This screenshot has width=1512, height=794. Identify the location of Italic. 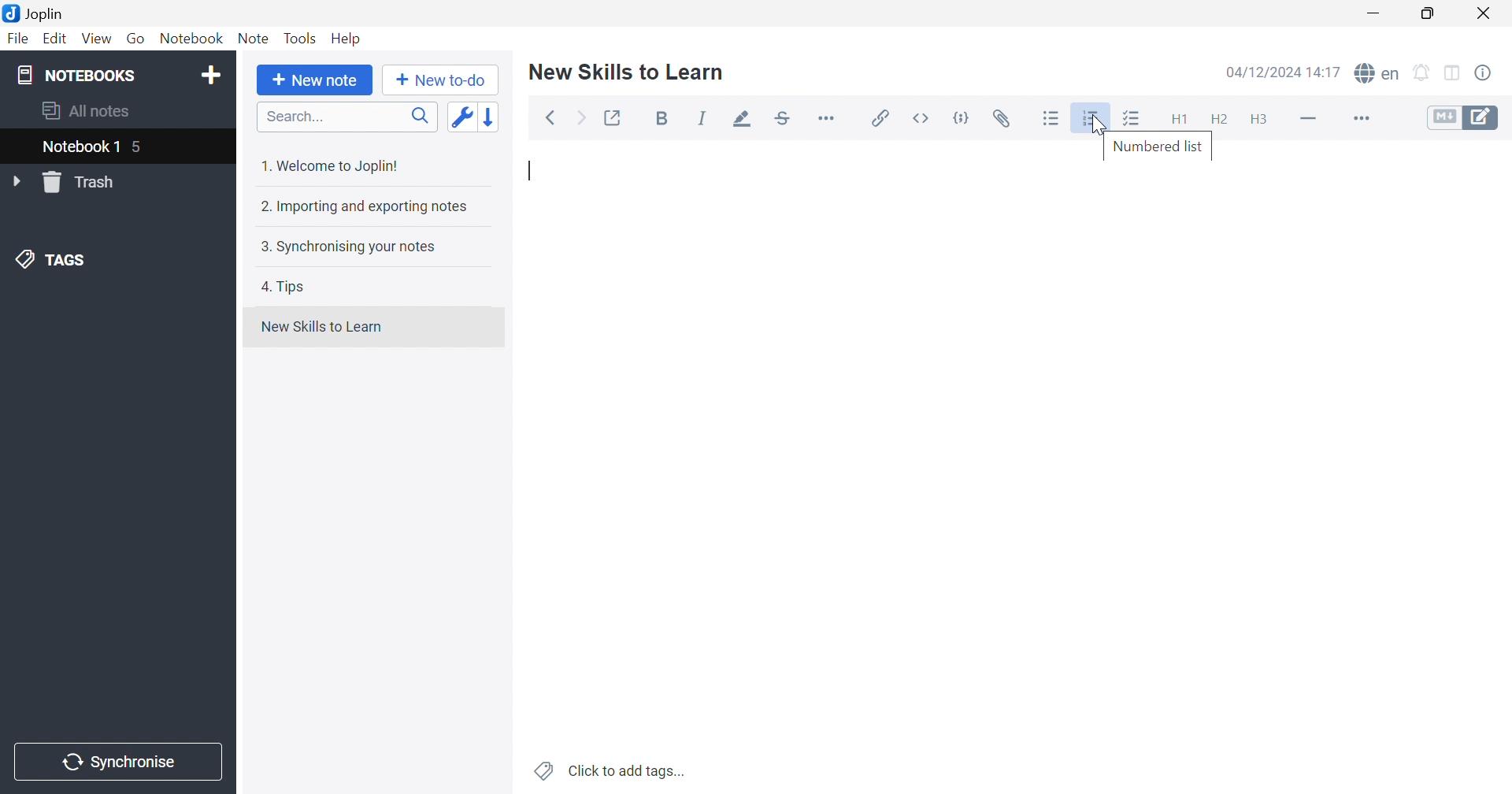
(702, 118).